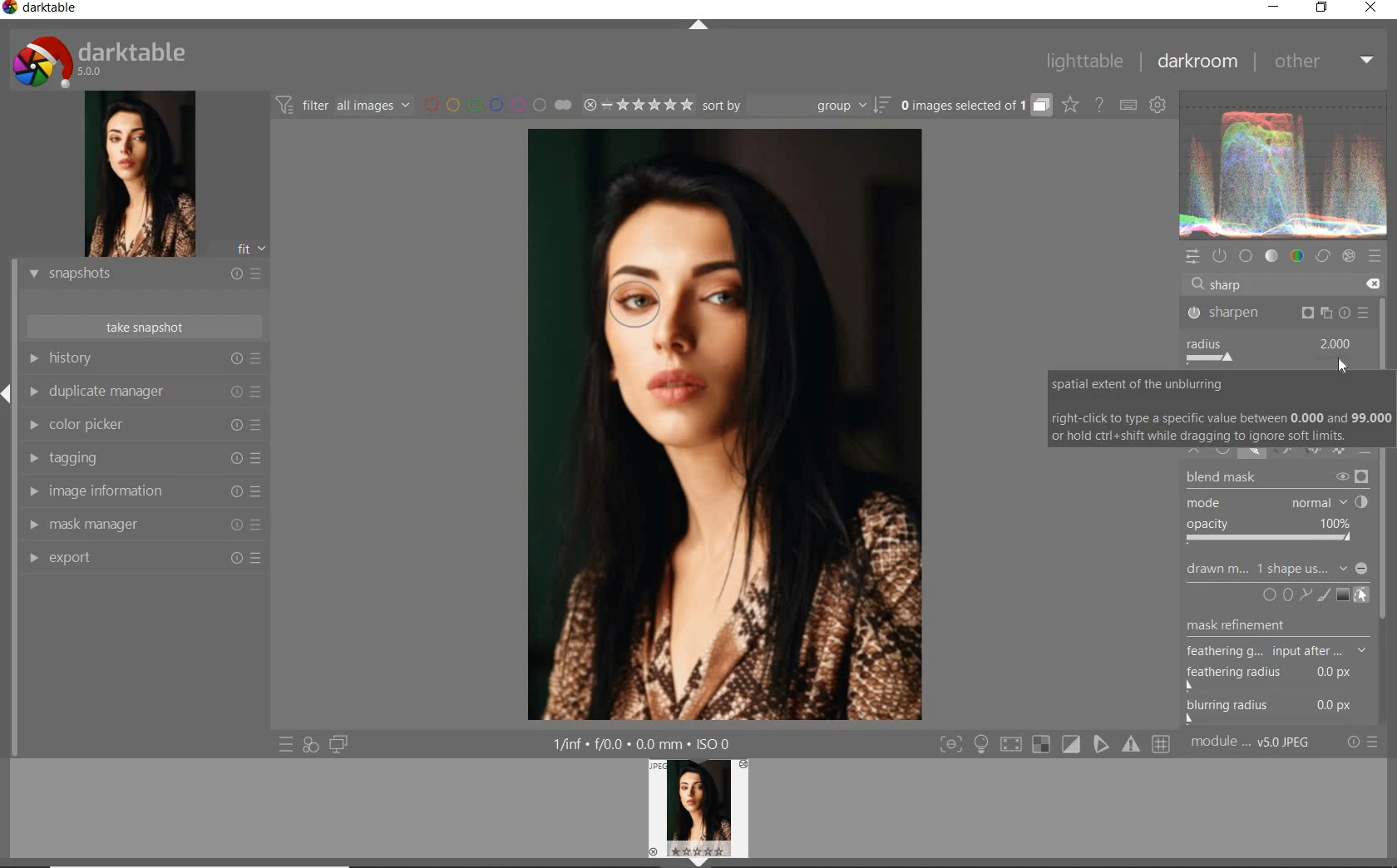 Image resolution: width=1397 pixels, height=868 pixels. What do you see at coordinates (1362, 595) in the screenshot?
I see `show & edit mask elements` at bounding box center [1362, 595].